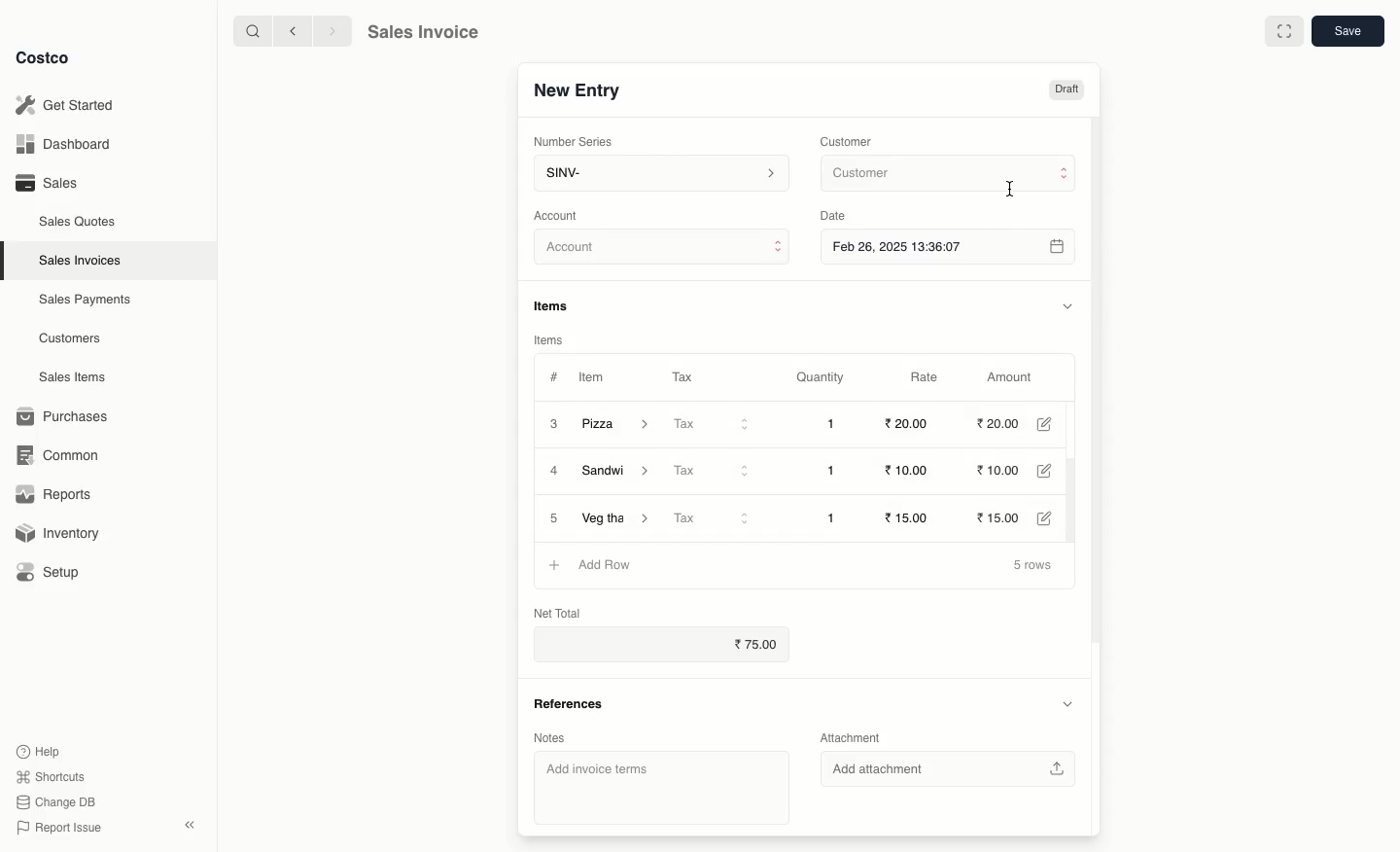  What do you see at coordinates (554, 518) in the screenshot?
I see `5` at bounding box center [554, 518].